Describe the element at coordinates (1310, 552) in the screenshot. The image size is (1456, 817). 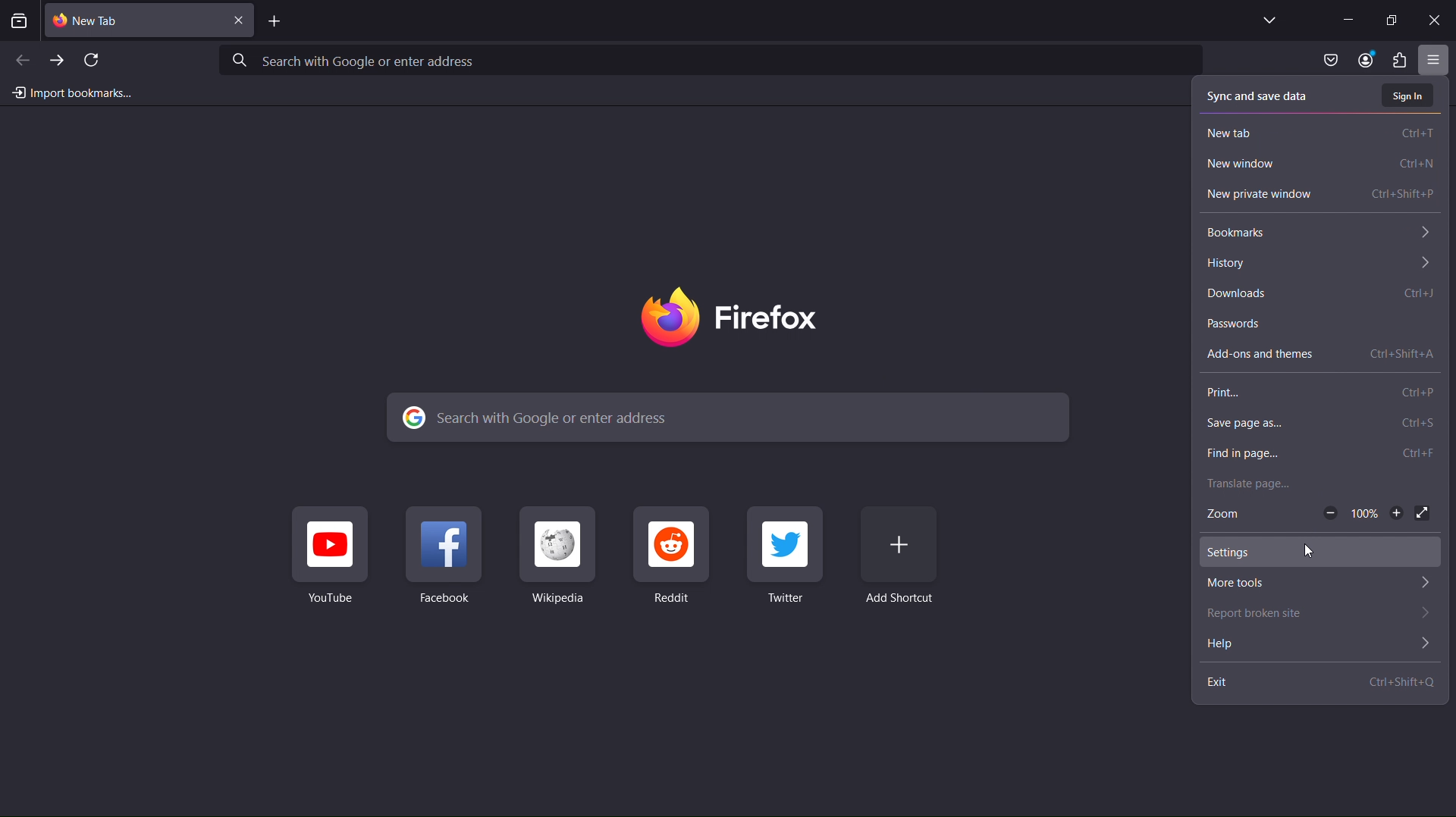
I see `cursor` at that location.